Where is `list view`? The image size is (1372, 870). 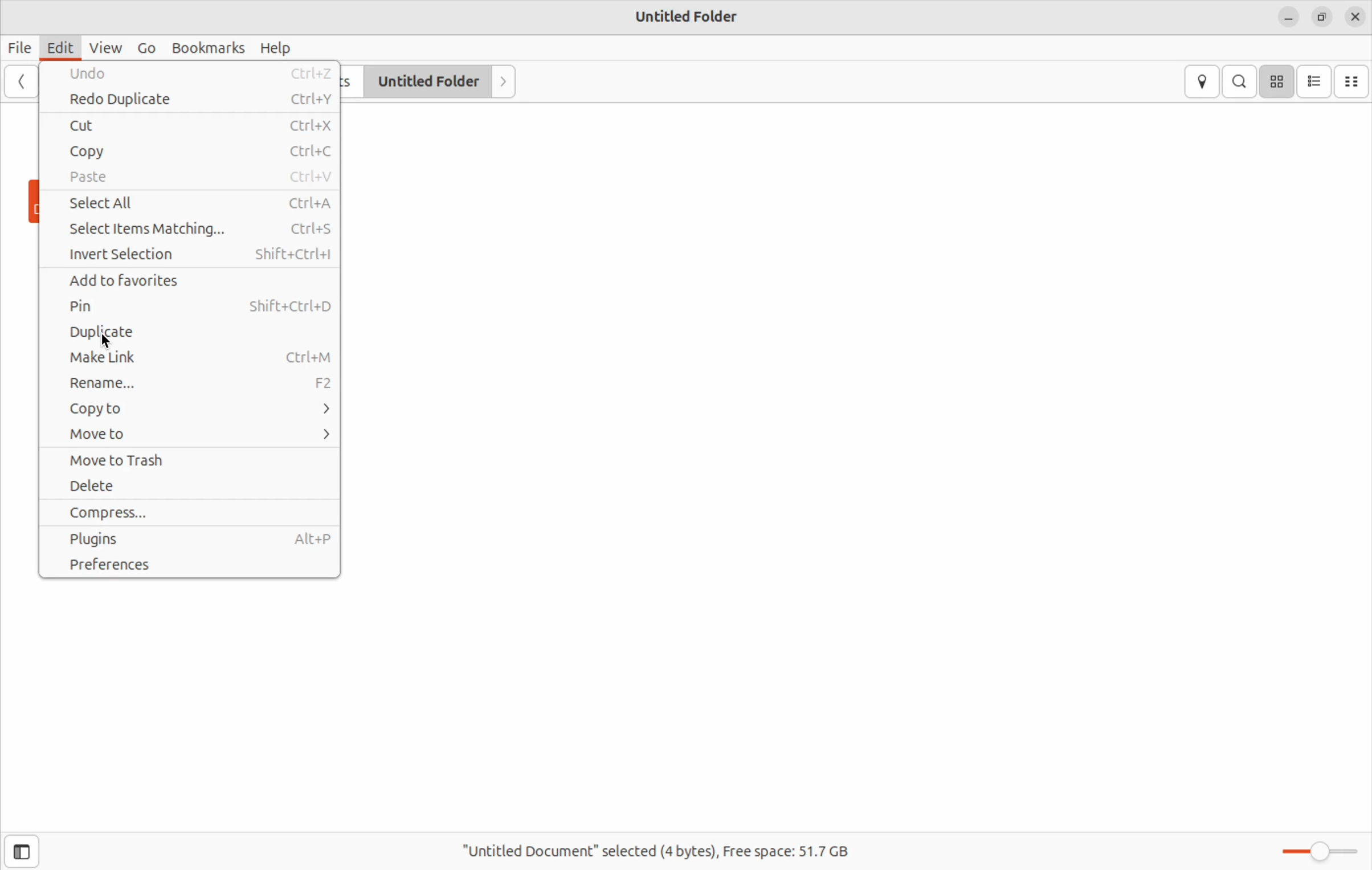
list view is located at coordinates (1316, 81).